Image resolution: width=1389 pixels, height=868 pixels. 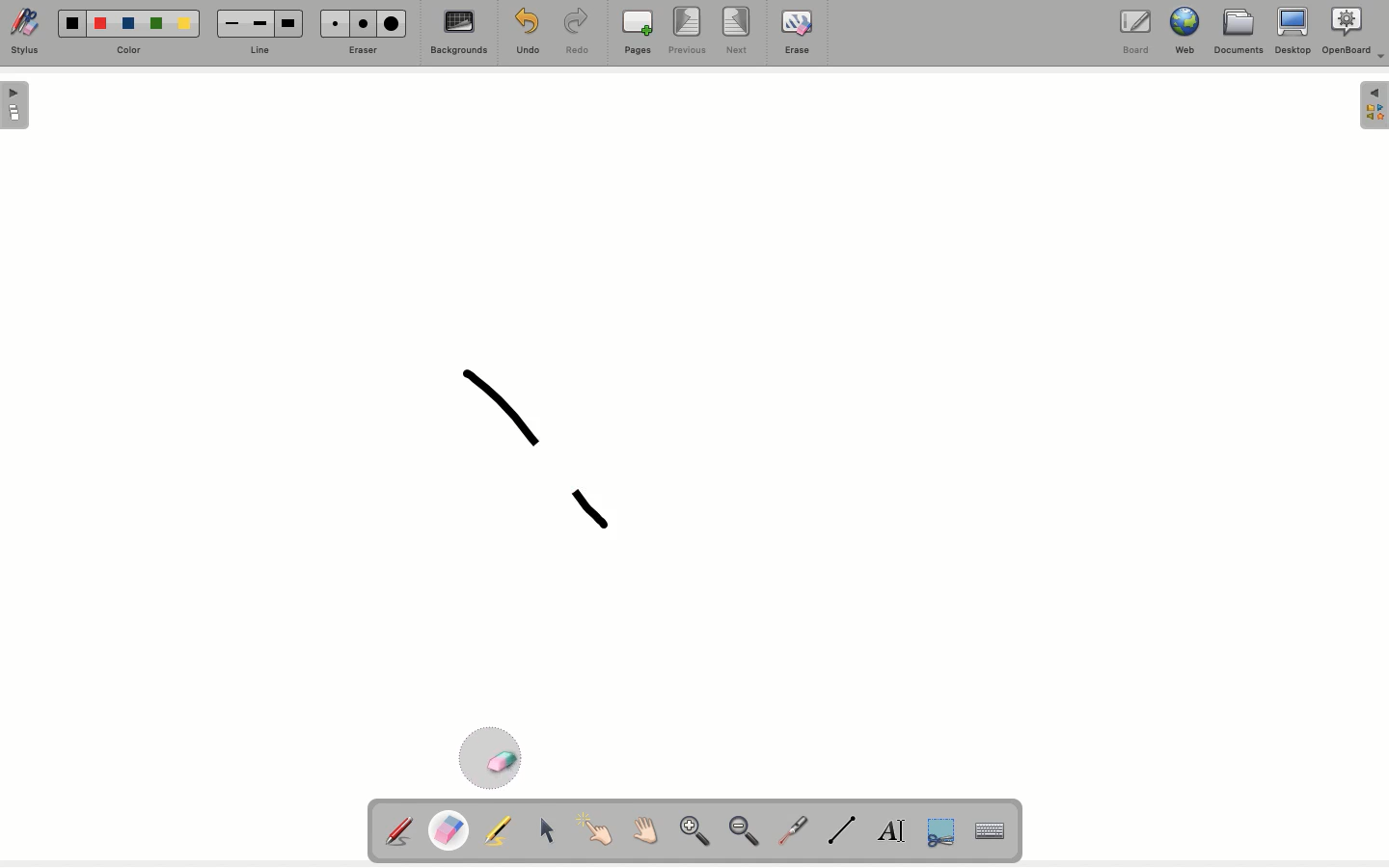 What do you see at coordinates (265, 49) in the screenshot?
I see `Line` at bounding box center [265, 49].